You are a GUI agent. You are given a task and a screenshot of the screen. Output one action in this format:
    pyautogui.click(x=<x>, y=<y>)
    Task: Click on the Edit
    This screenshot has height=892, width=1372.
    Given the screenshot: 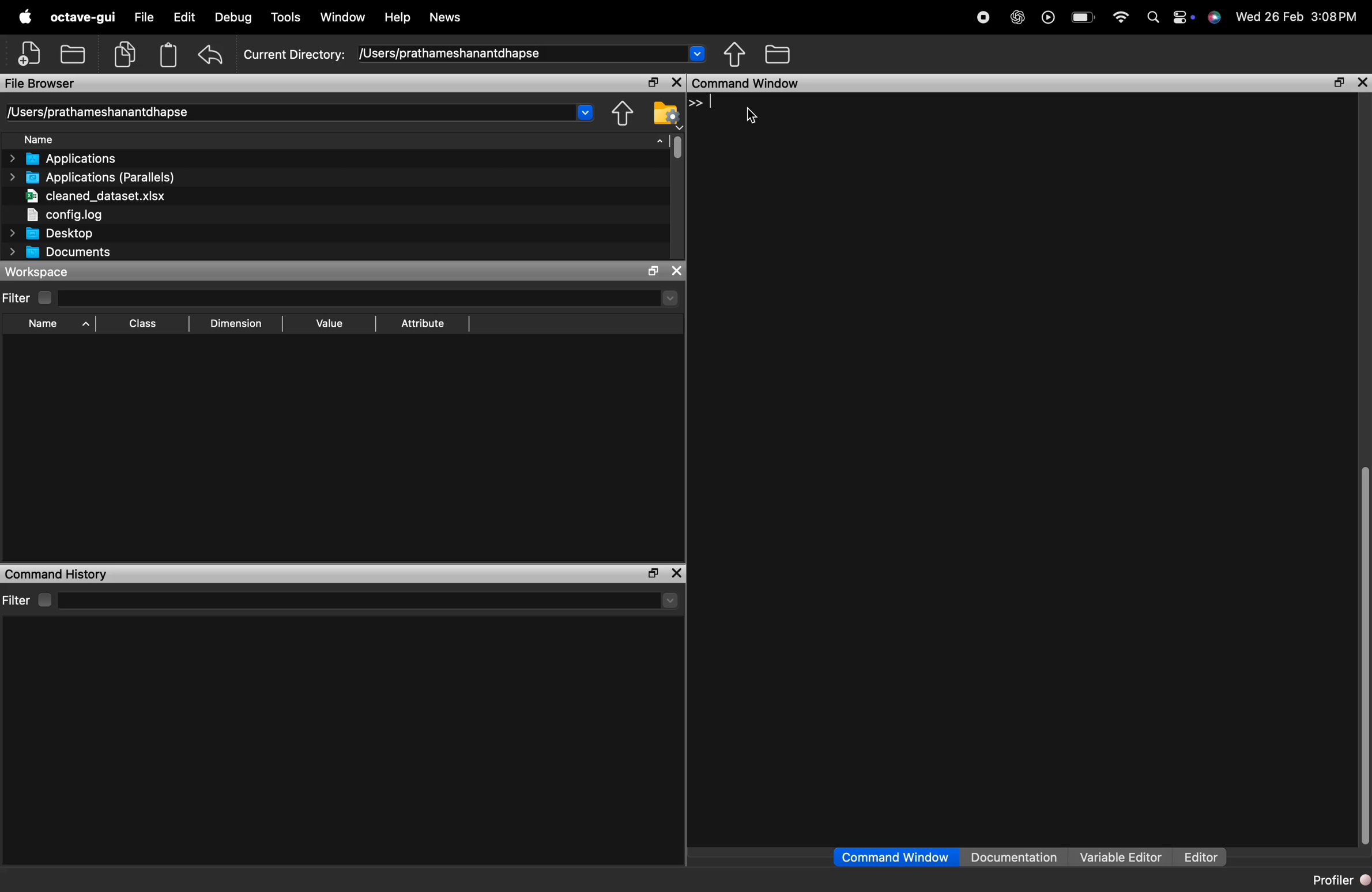 What is the action you would take?
    pyautogui.click(x=180, y=17)
    